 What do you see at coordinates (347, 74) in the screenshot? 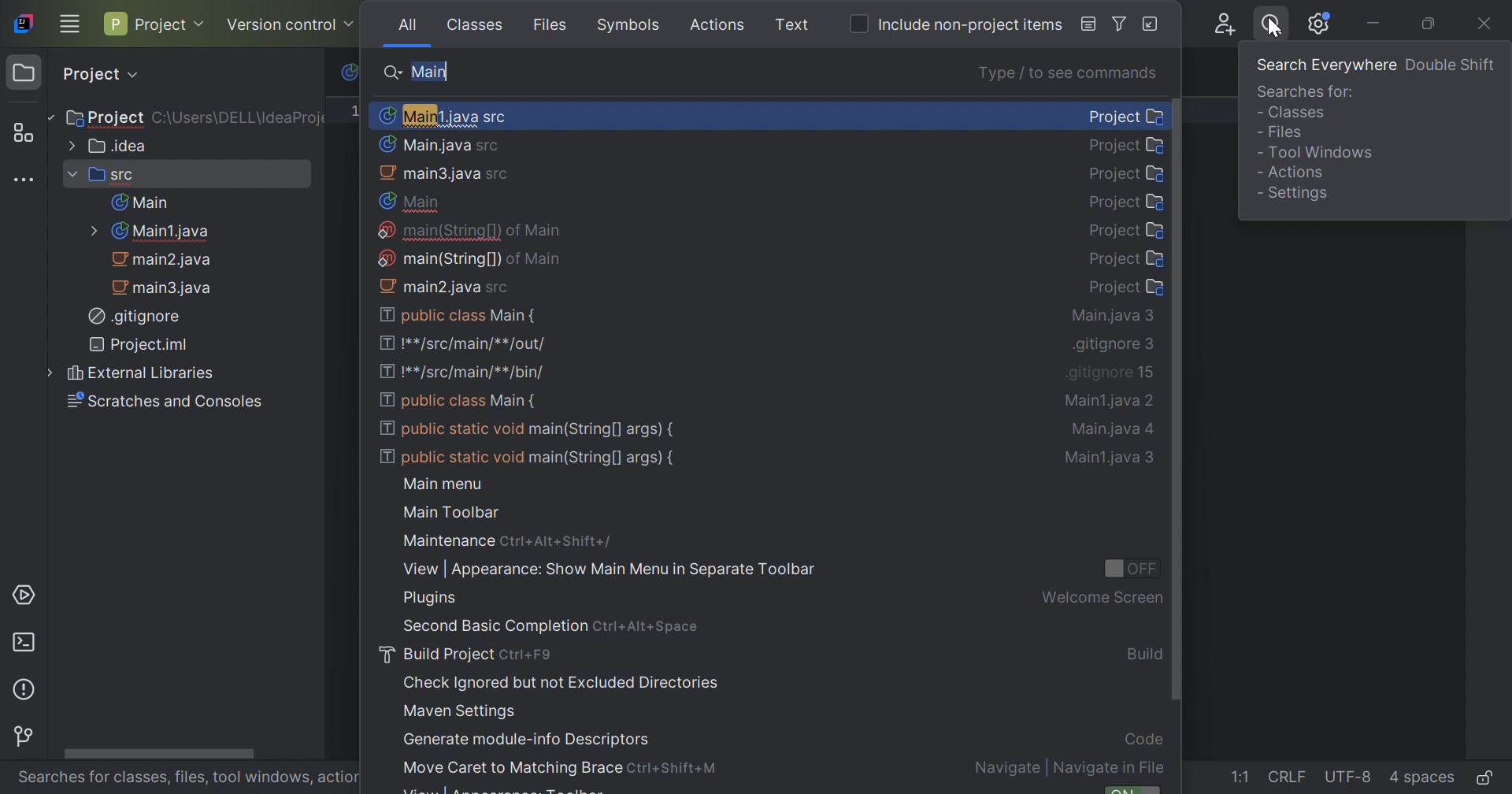
I see `logo` at bounding box center [347, 74].